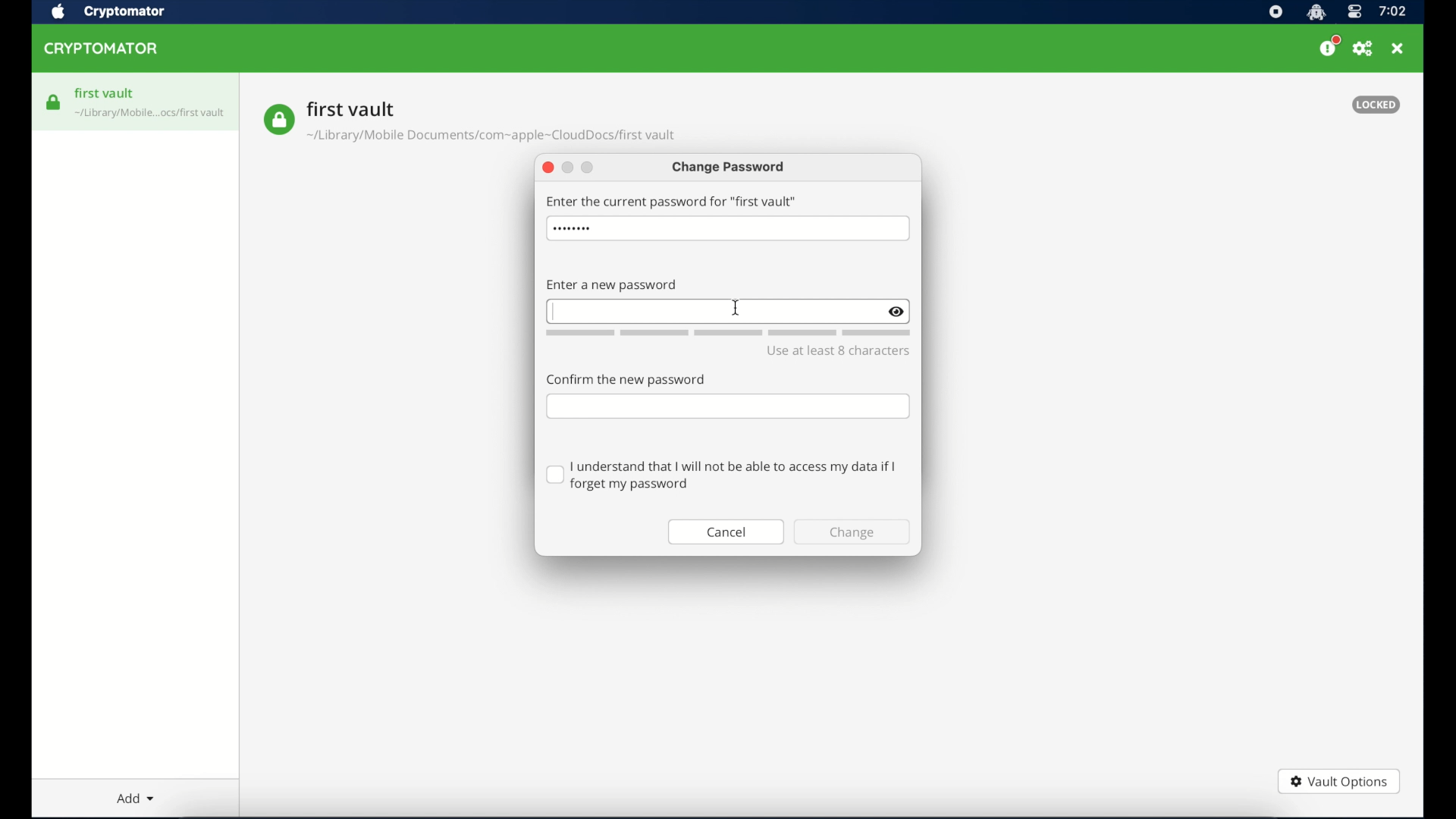 Image resolution: width=1456 pixels, height=819 pixels. What do you see at coordinates (1316, 13) in the screenshot?
I see `cryptomator icon` at bounding box center [1316, 13].